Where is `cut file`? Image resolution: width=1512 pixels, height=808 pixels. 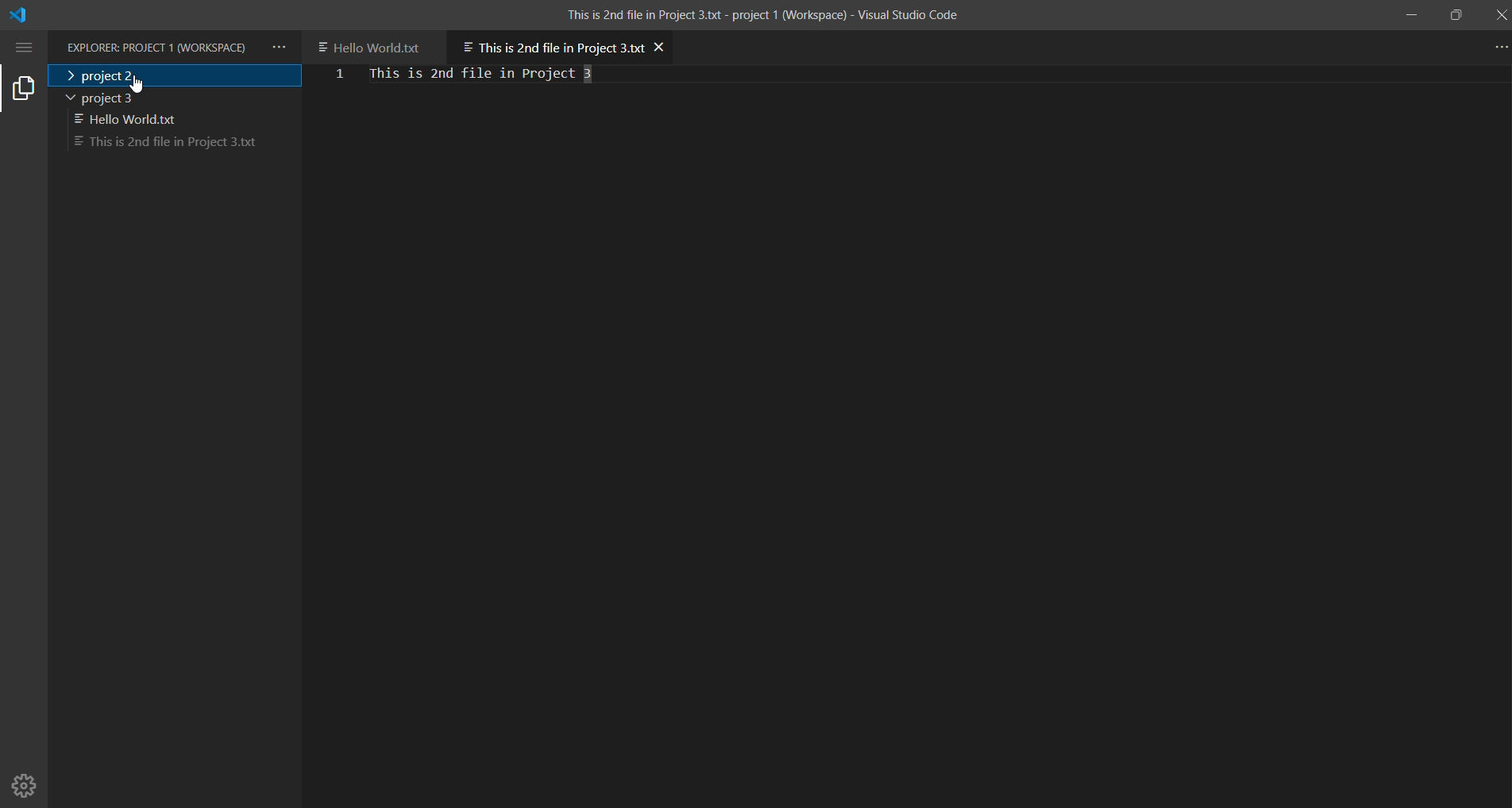 cut file is located at coordinates (164, 144).